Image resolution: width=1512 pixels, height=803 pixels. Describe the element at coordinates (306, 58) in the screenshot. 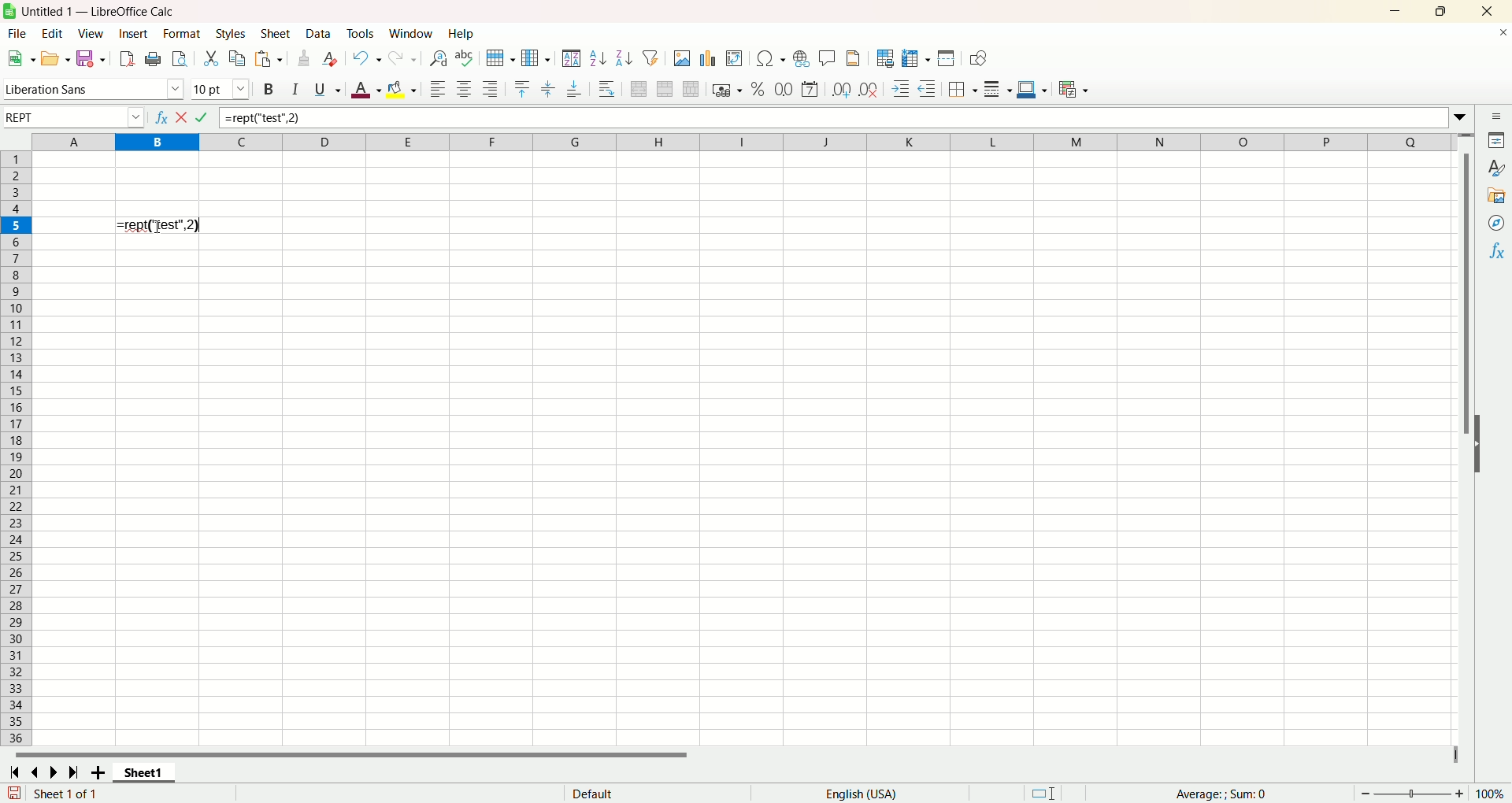

I see `clone formating` at that location.